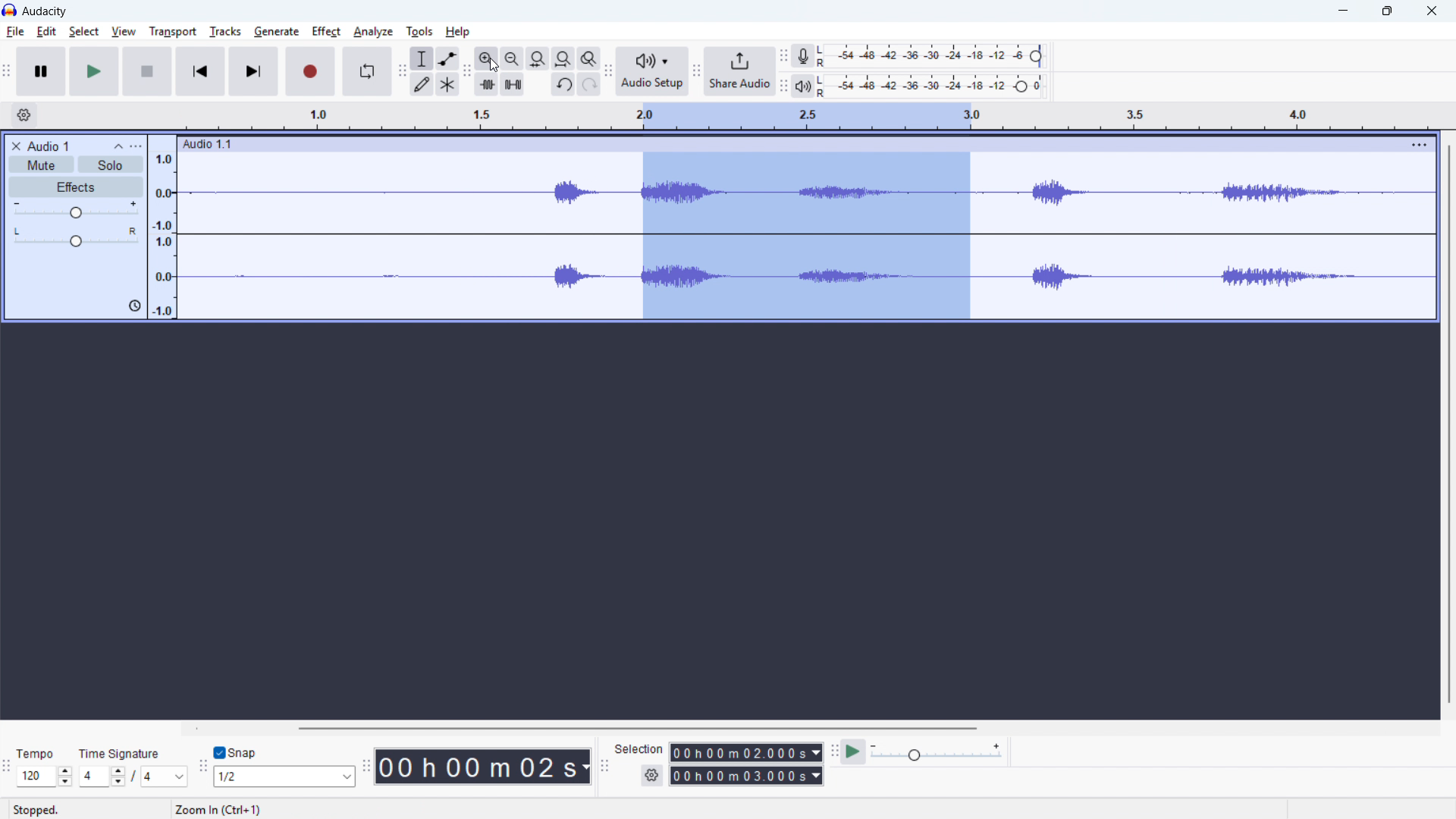  I want to click on Envelope tool, so click(447, 58).